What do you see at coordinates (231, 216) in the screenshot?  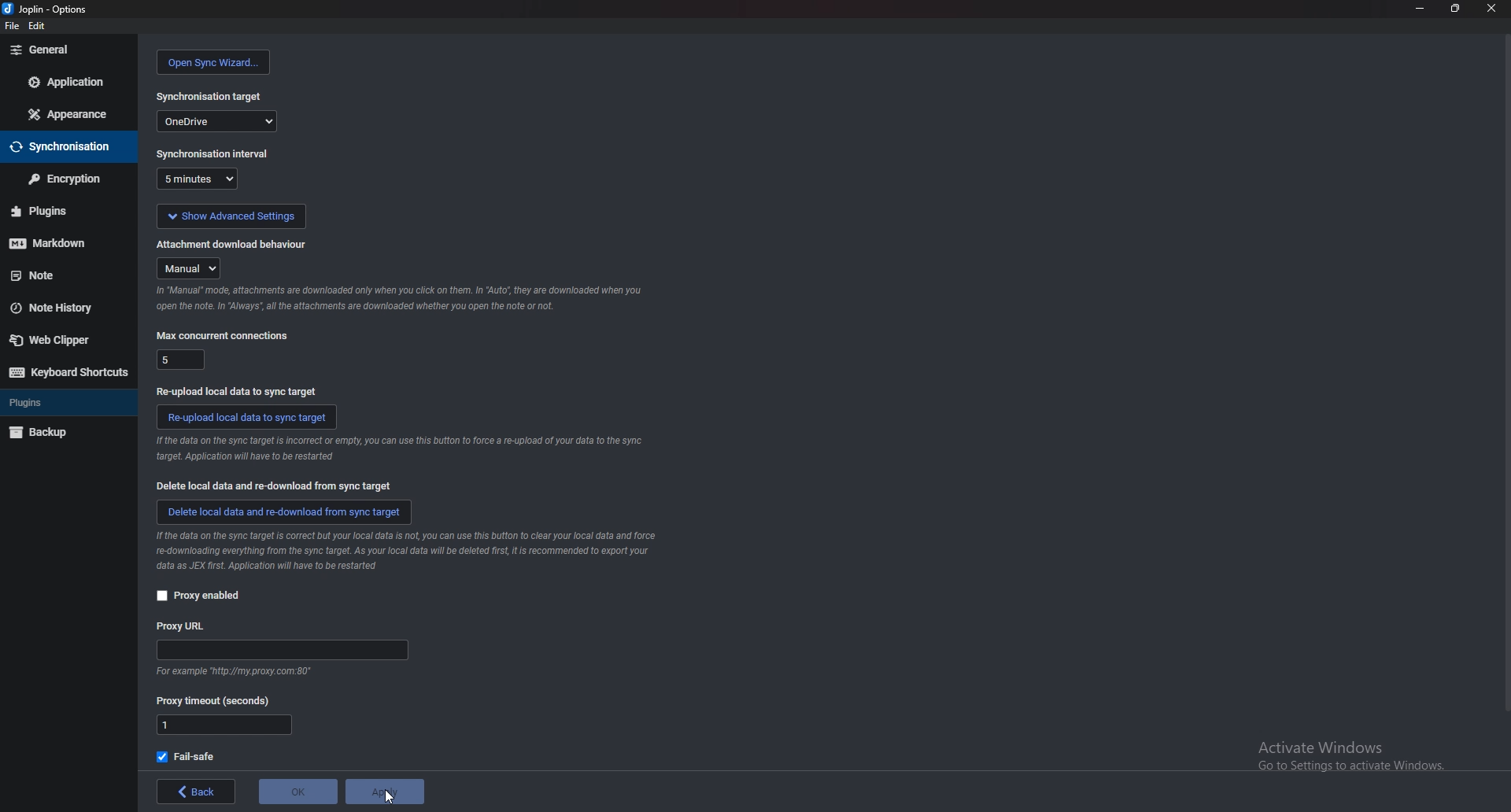 I see `show advanced settings` at bounding box center [231, 216].